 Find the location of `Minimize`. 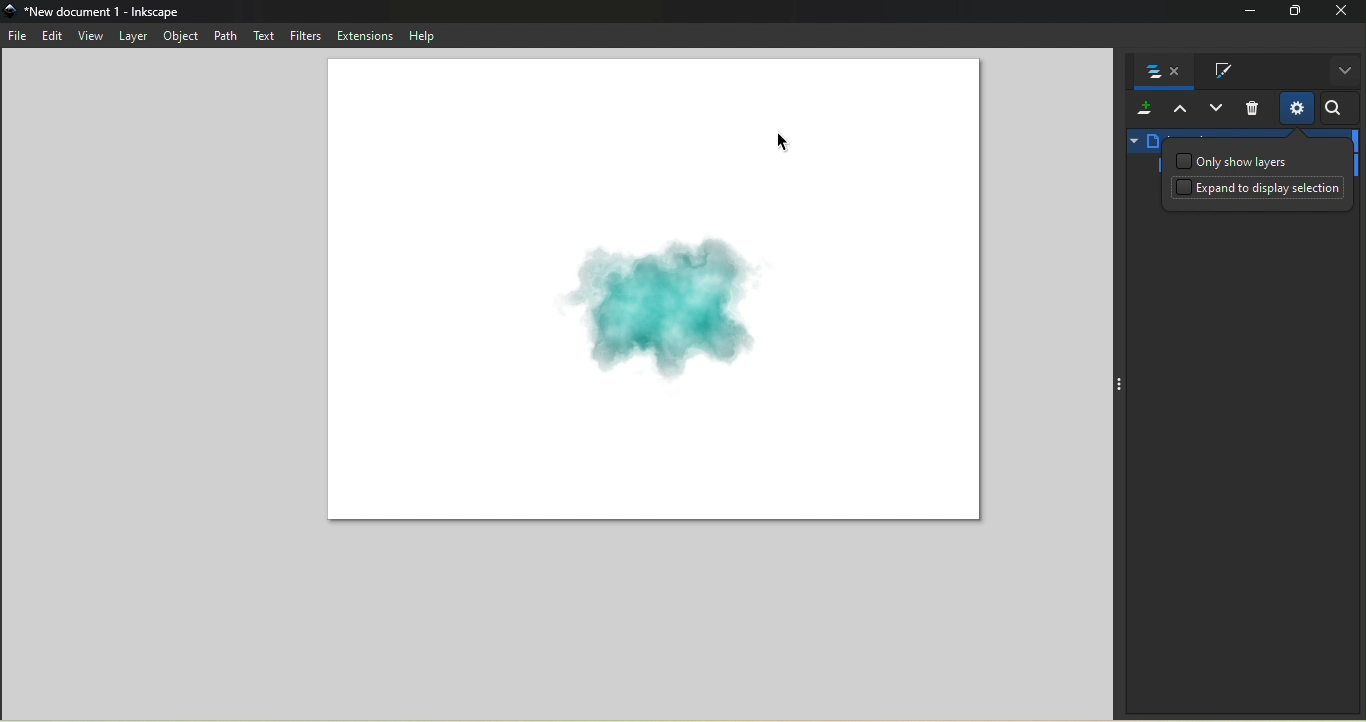

Minimize is located at coordinates (1245, 12).